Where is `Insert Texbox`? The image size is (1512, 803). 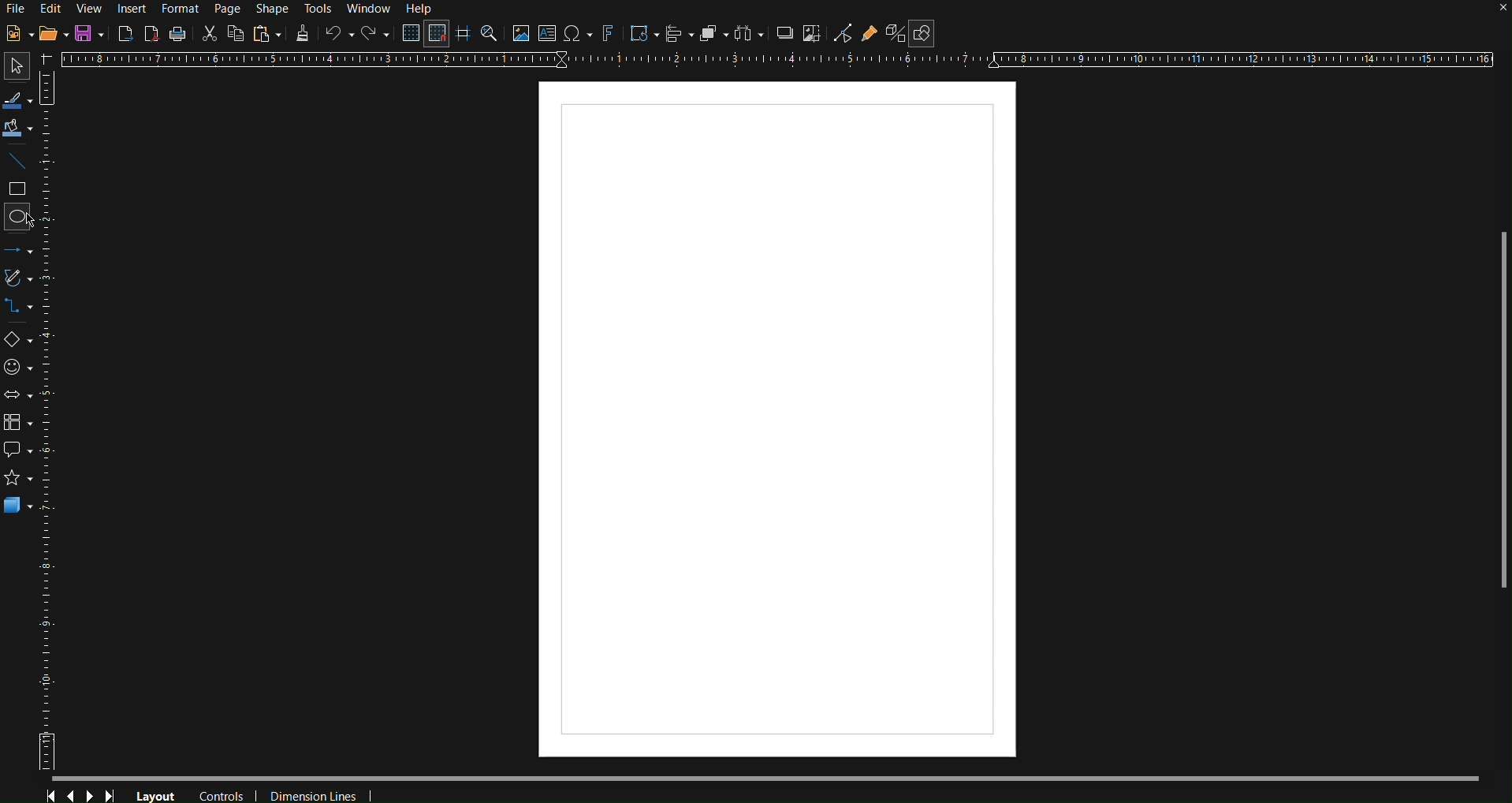 Insert Texbox is located at coordinates (546, 35).